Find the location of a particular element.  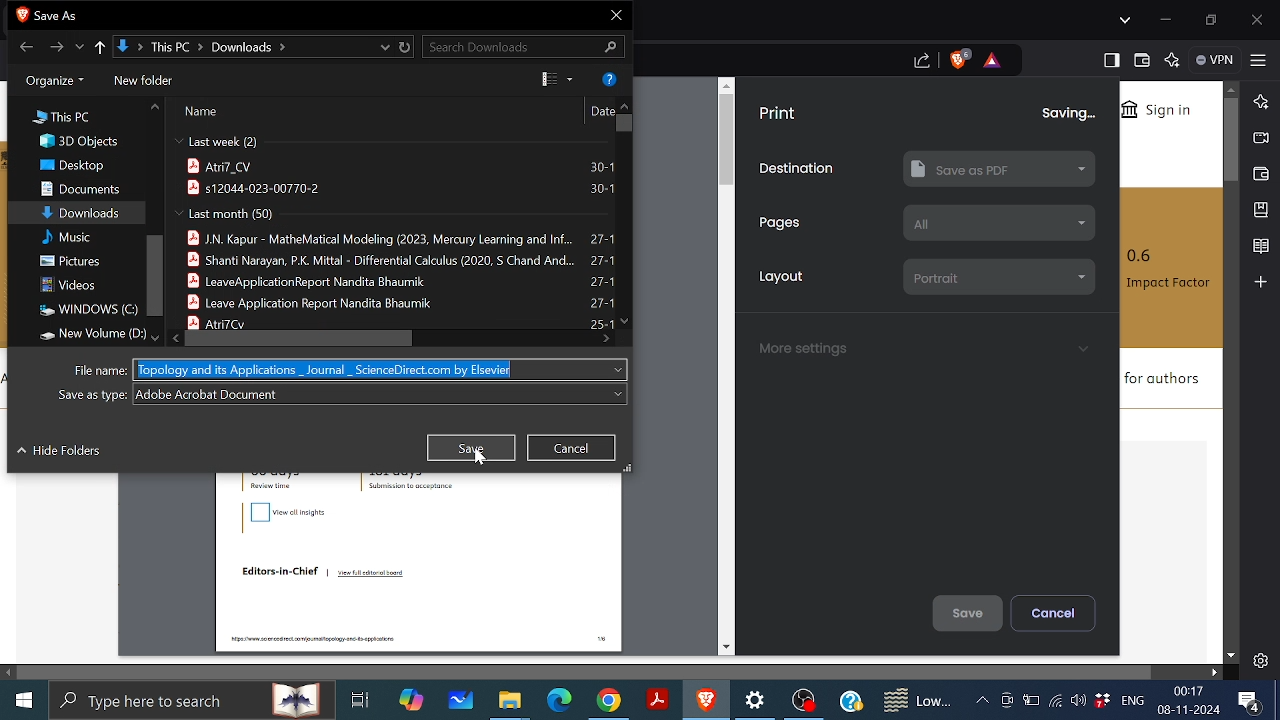

saving... is located at coordinates (1064, 114).